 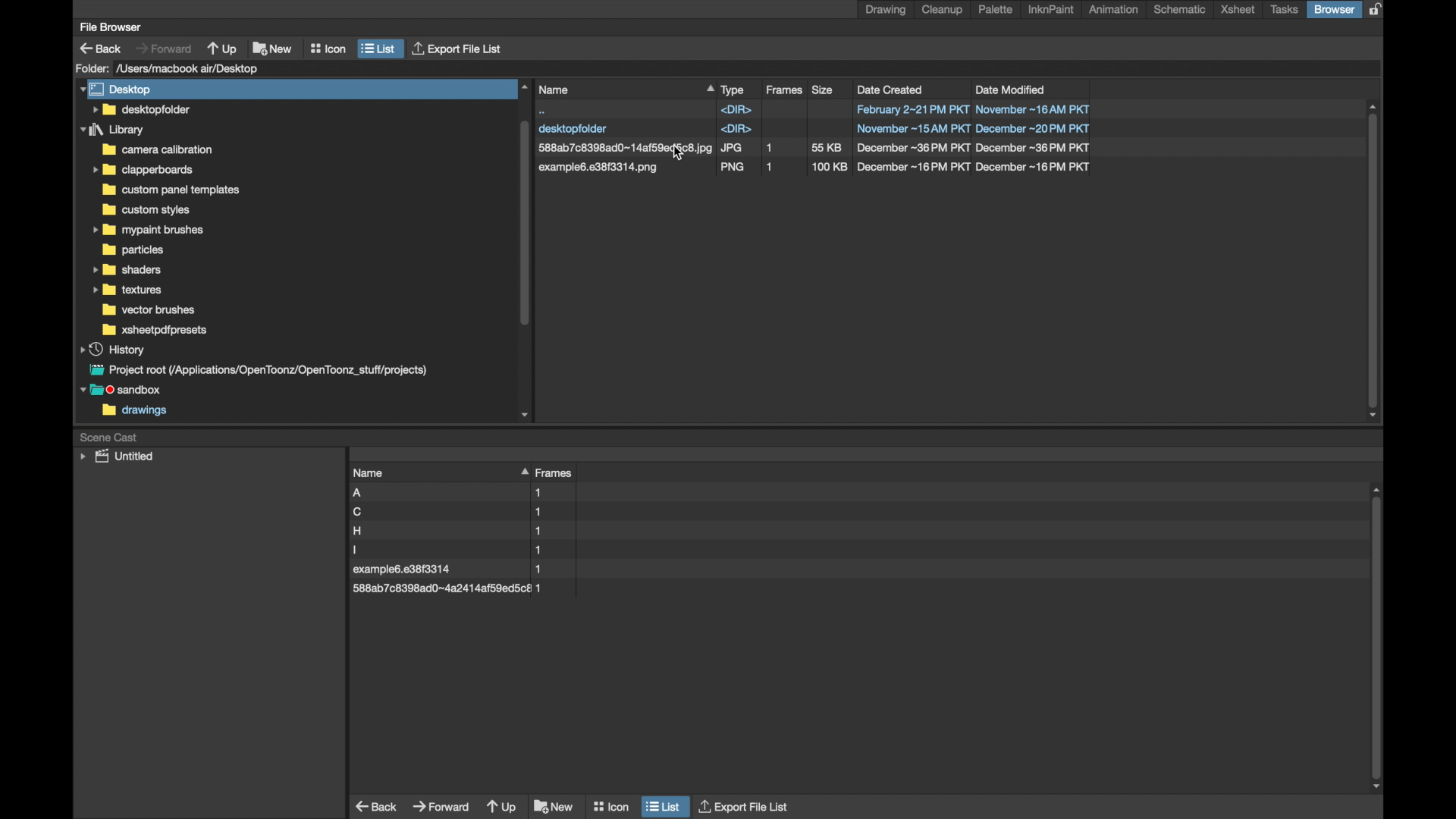 I want to click on file, so click(x=453, y=570).